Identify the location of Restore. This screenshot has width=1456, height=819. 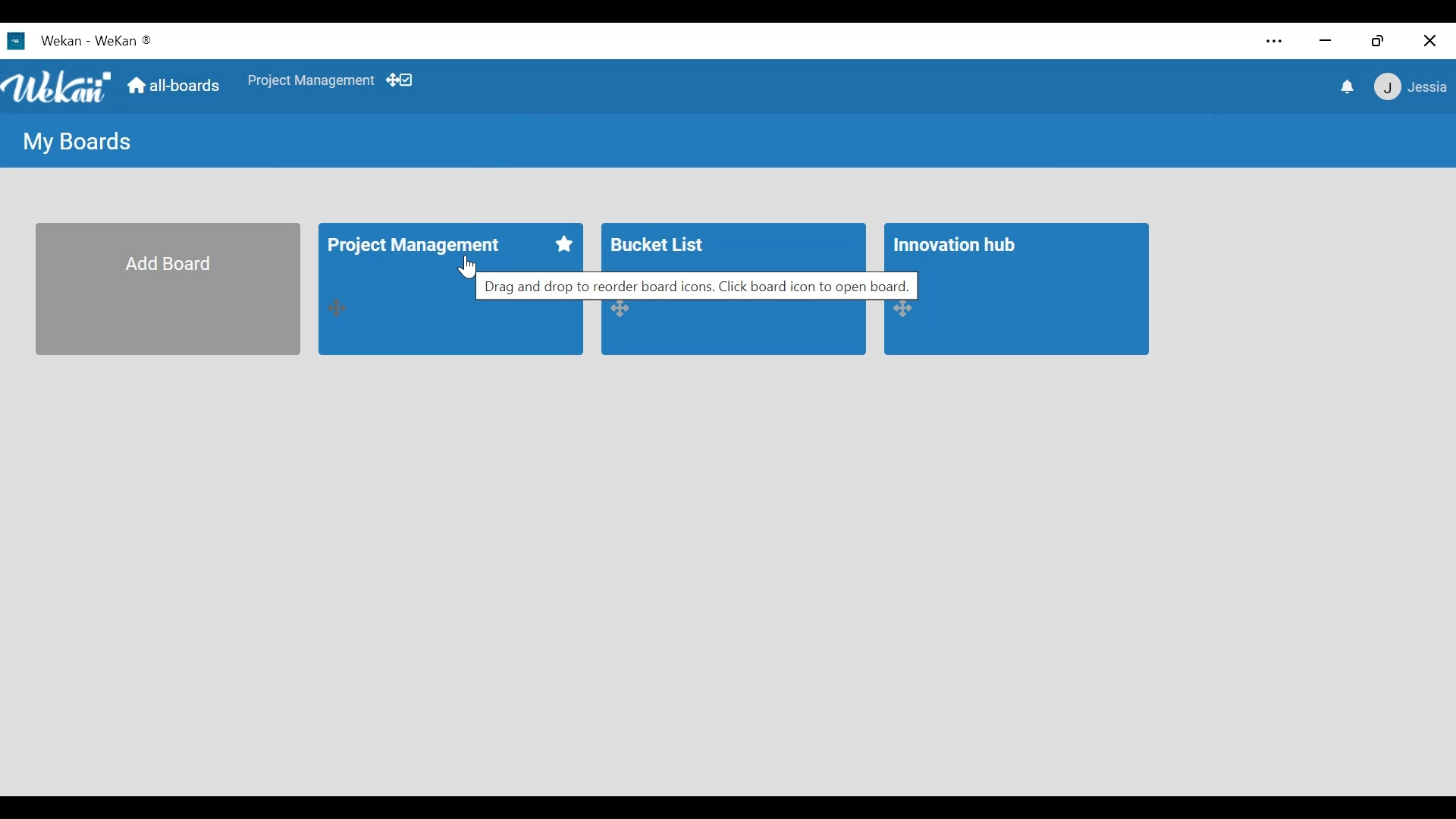
(1377, 39).